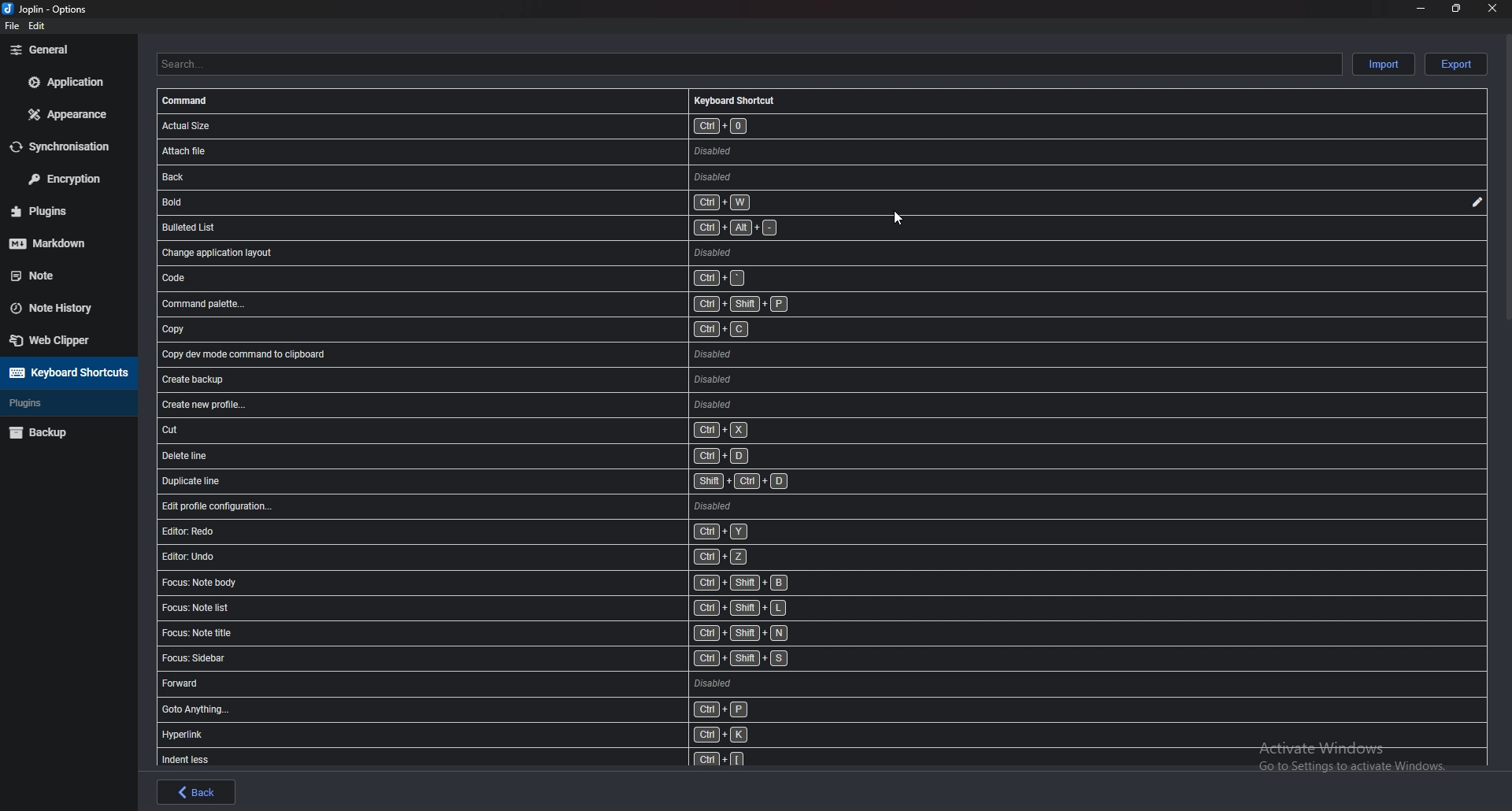  Describe the element at coordinates (68, 146) in the screenshot. I see `Synchronization` at that location.